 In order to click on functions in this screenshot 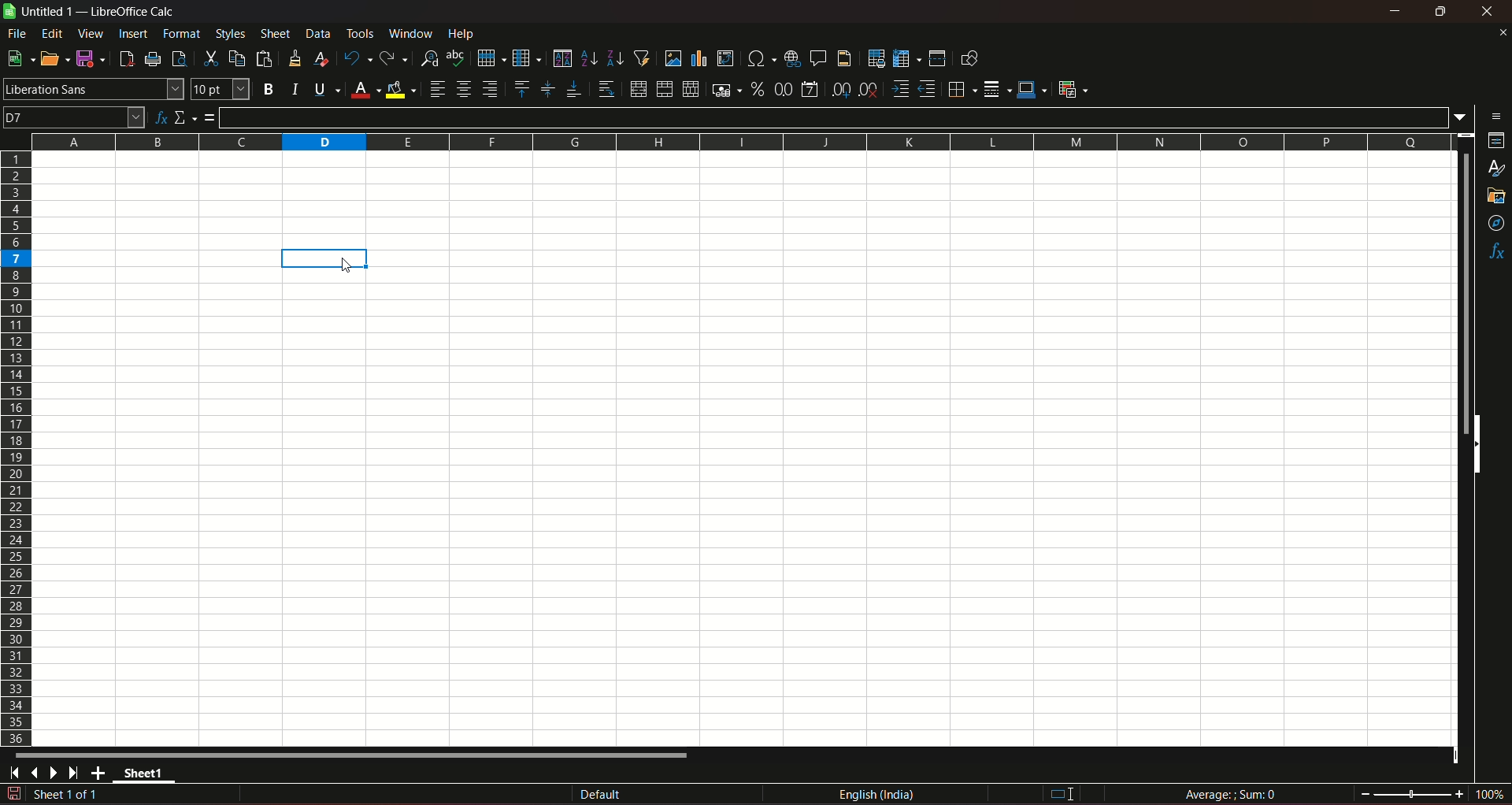, I will do `click(1496, 253)`.